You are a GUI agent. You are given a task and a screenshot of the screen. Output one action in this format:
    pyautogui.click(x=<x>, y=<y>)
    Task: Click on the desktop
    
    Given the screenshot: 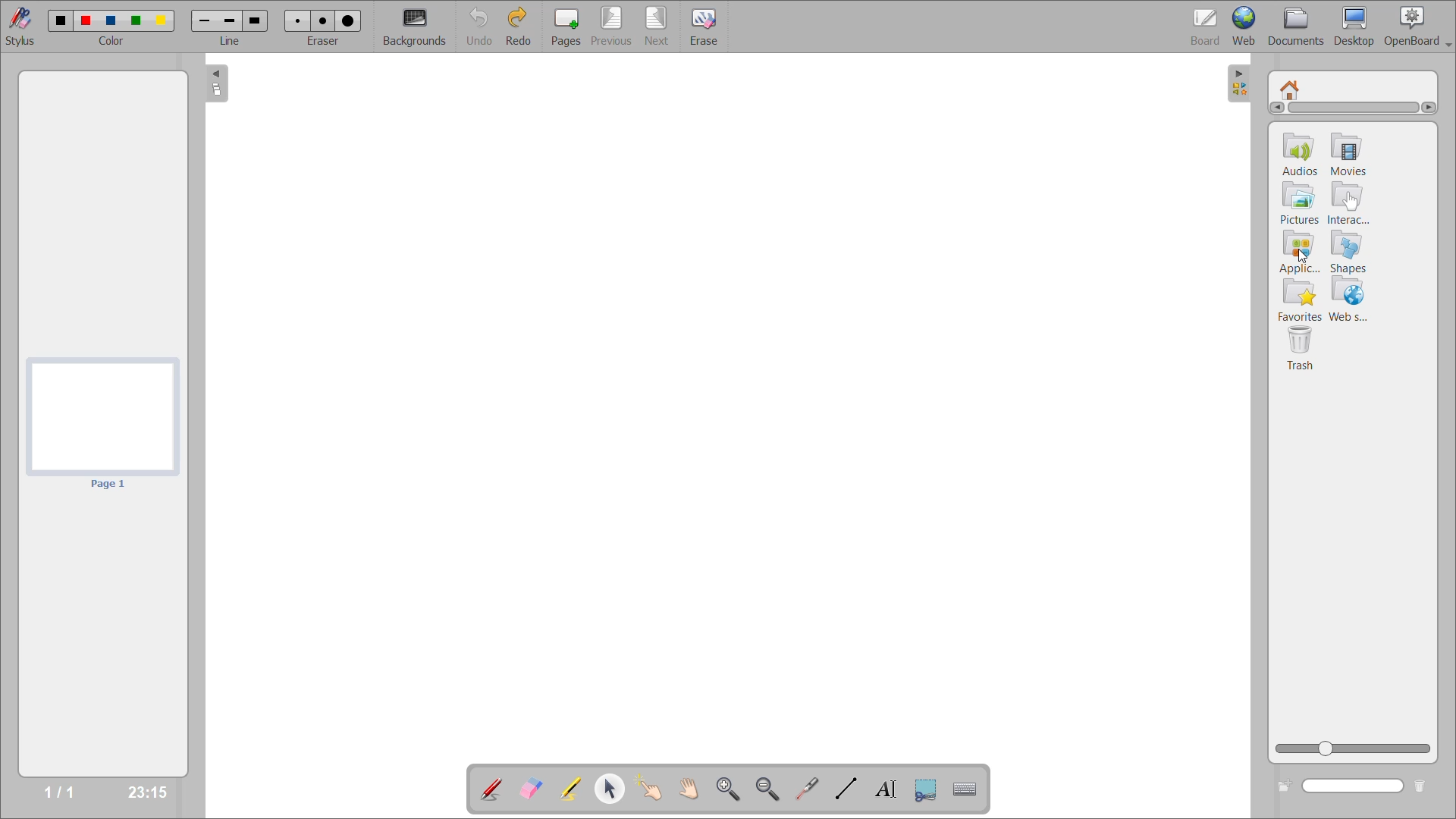 What is the action you would take?
    pyautogui.click(x=1355, y=26)
    